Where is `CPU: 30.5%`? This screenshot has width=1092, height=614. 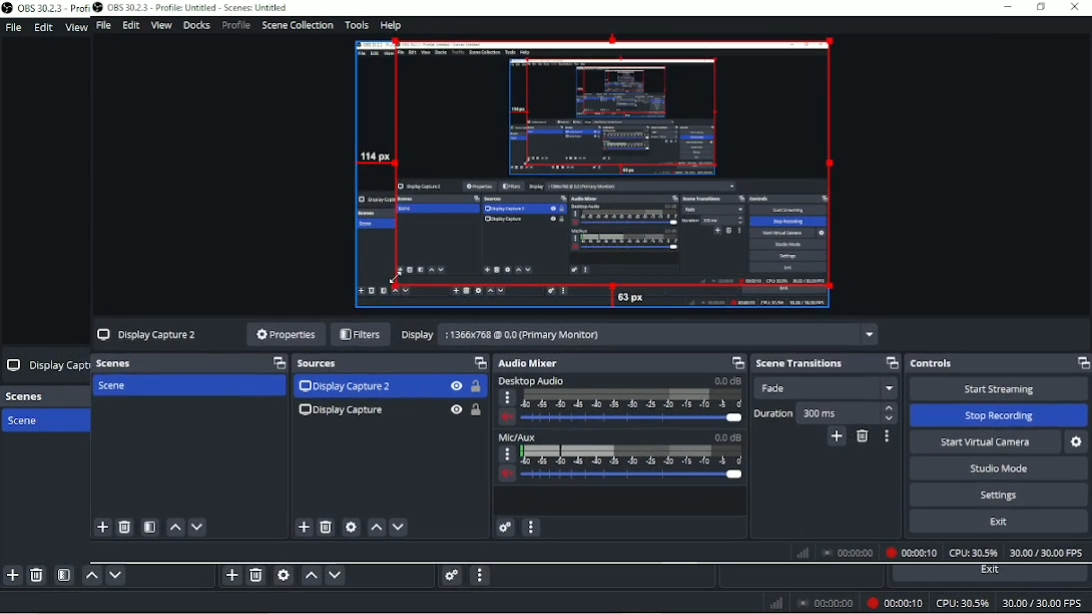 CPU: 30.5% is located at coordinates (962, 604).